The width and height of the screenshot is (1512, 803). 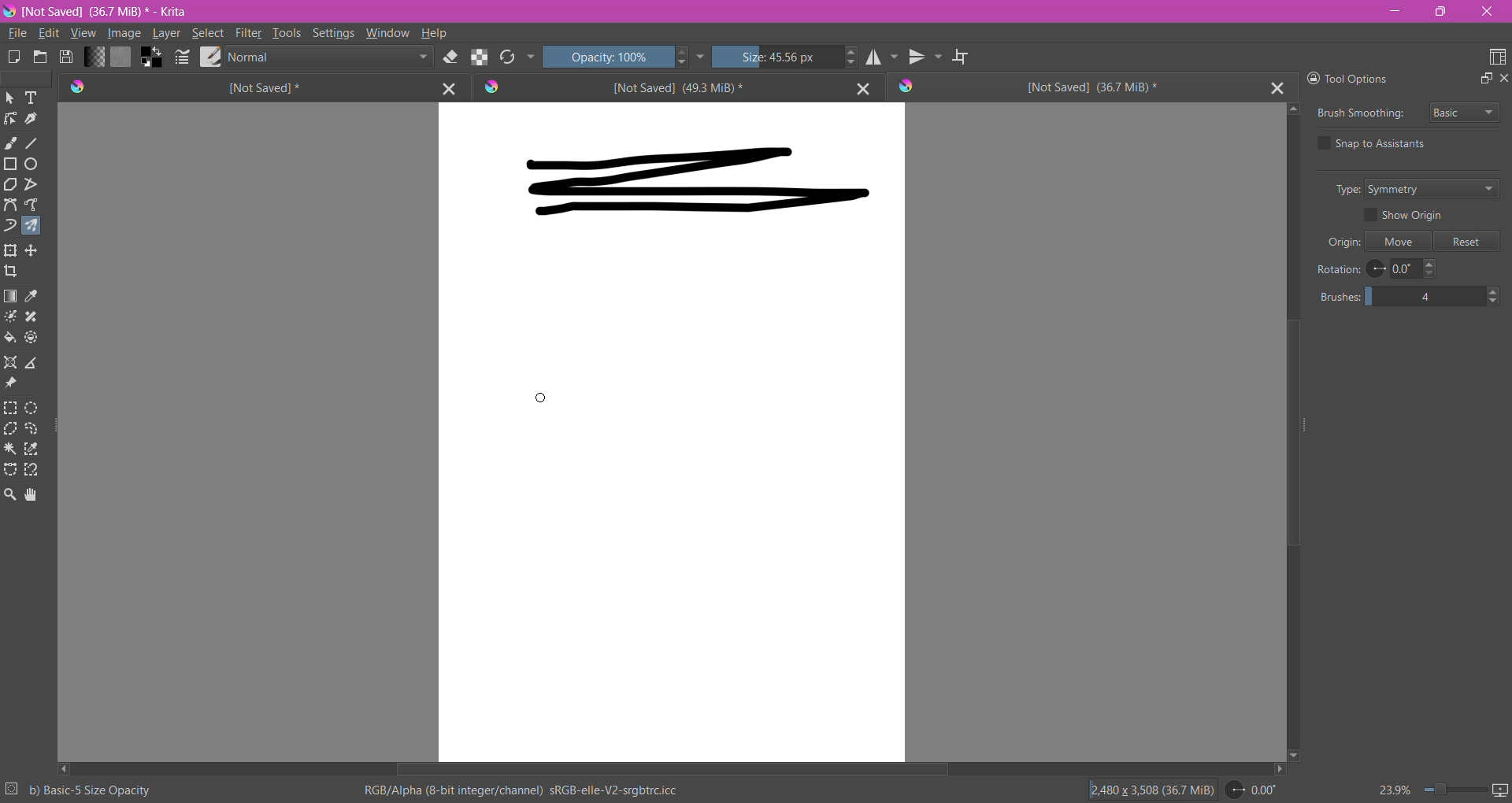 I want to click on Set Rotation Level, so click(x=1253, y=791).